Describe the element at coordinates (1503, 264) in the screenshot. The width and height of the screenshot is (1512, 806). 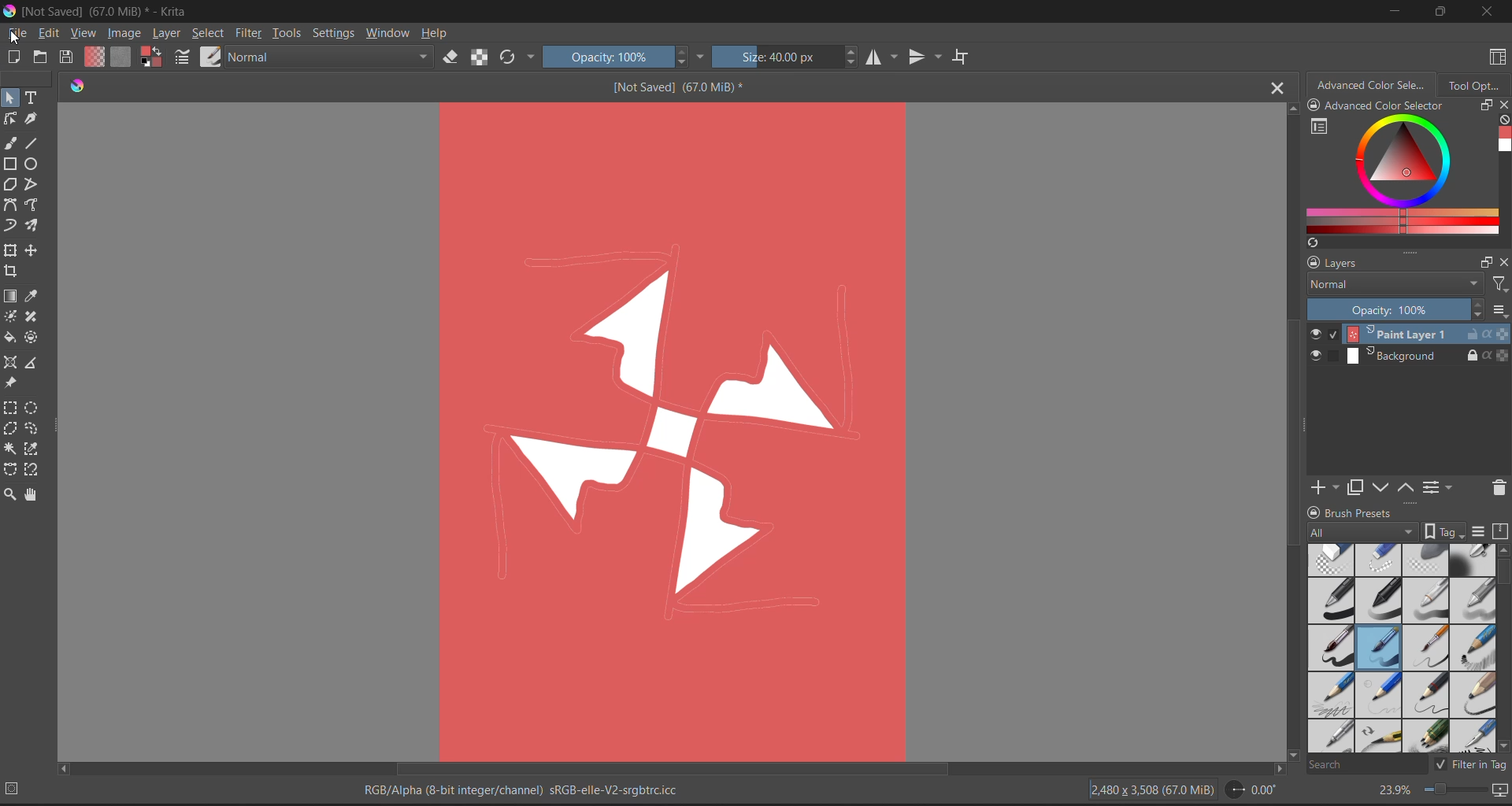
I see `close` at that location.